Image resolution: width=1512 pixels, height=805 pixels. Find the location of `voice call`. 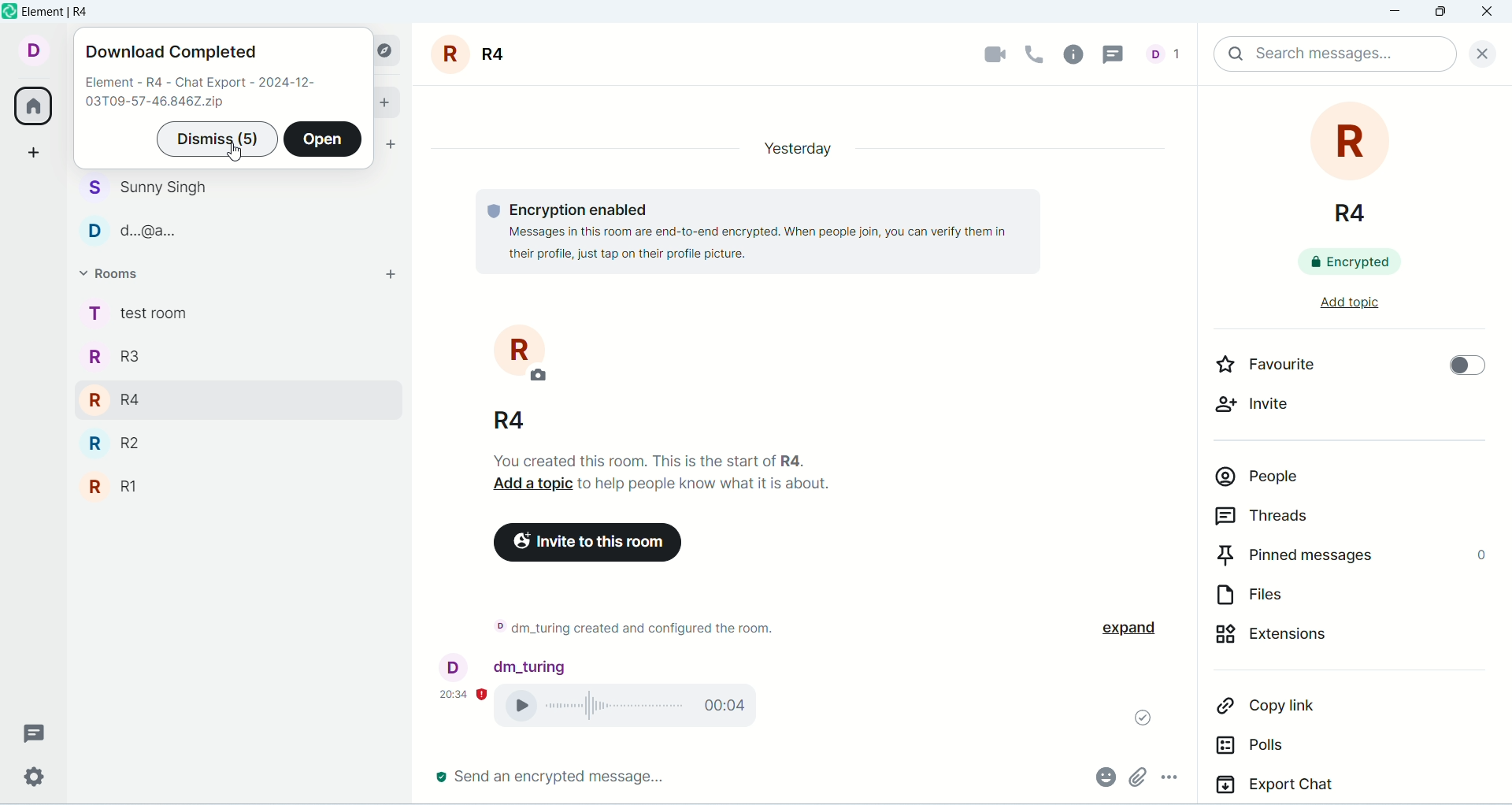

voice call is located at coordinates (1036, 53).